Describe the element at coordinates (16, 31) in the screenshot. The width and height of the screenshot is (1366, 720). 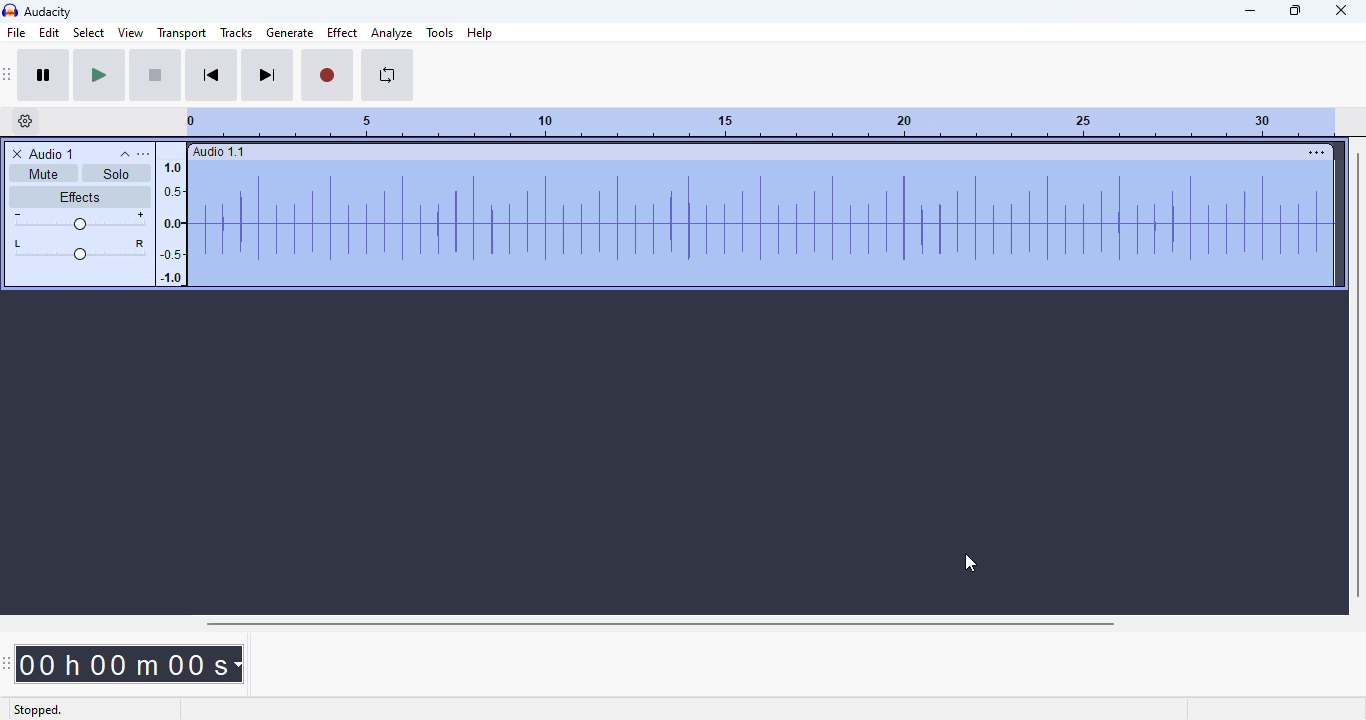
I see `file` at that location.